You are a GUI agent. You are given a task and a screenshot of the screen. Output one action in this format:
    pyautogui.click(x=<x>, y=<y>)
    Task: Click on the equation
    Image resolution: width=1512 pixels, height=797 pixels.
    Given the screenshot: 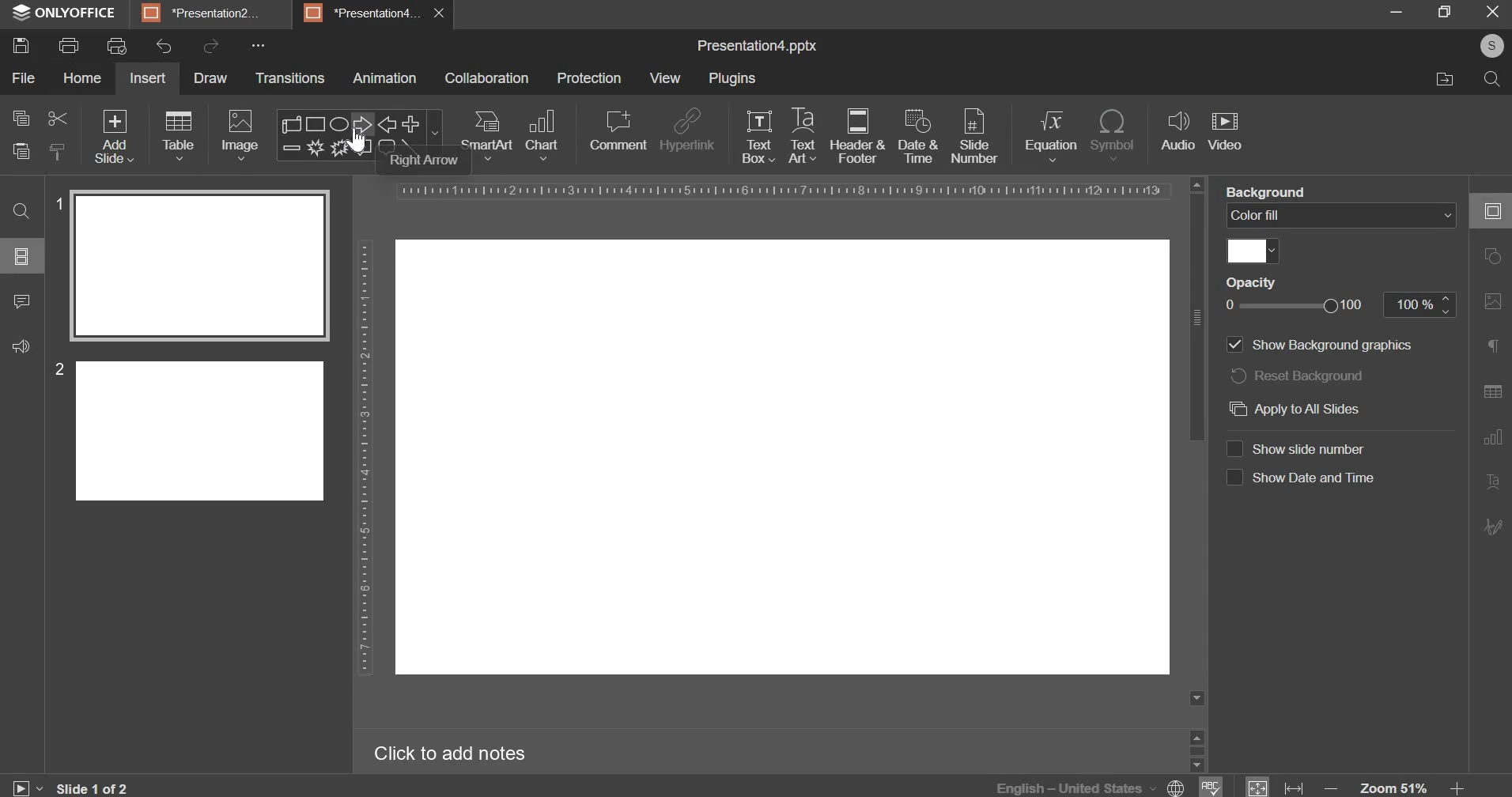 What is the action you would take?
    pyautogui.click(x=1051, y=135)
    